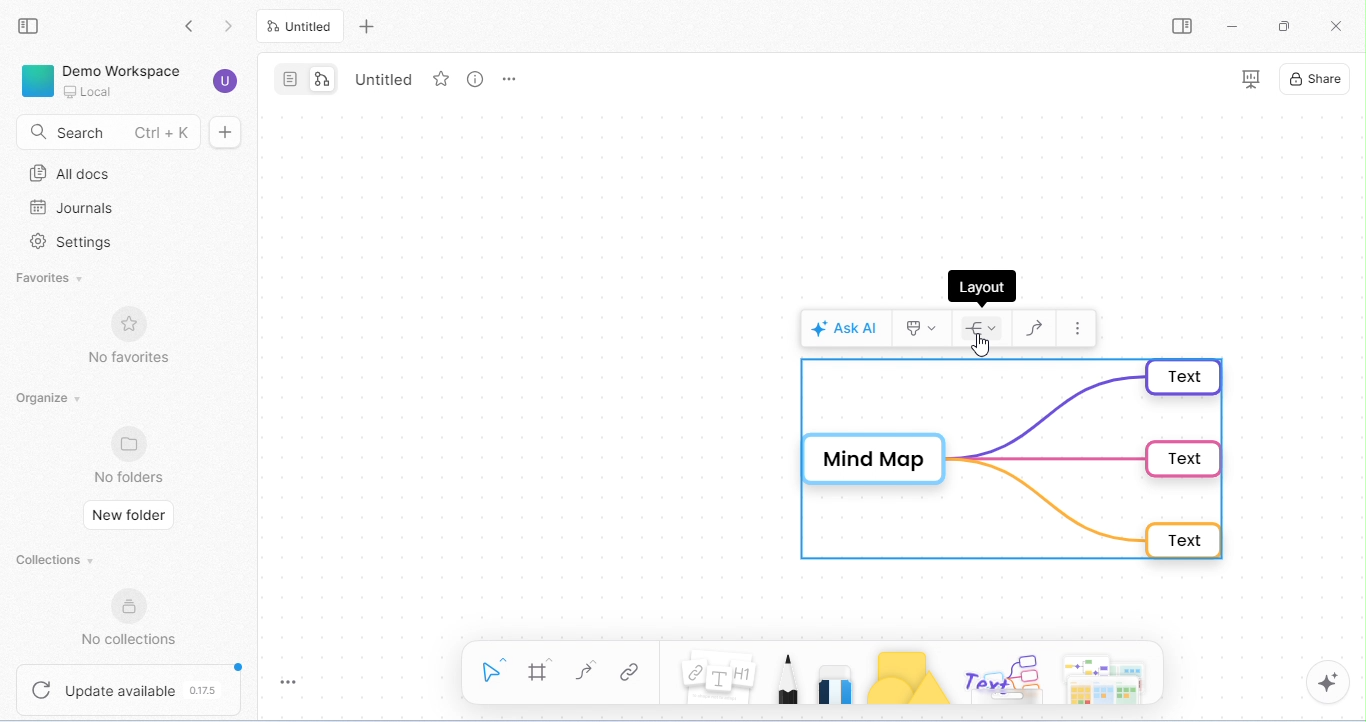  Describe the element at coordinates (845, 326) in the screenshot. I see `ask AI` at that location.